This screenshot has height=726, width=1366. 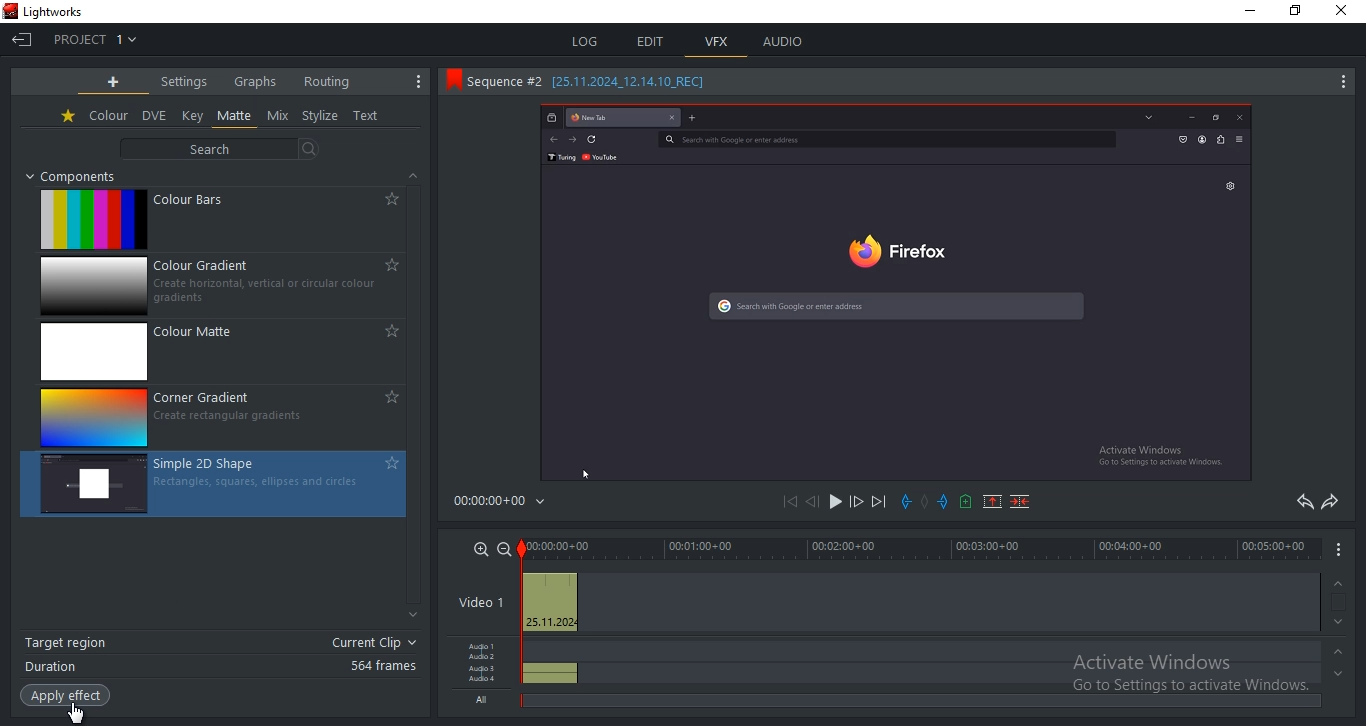 I want to click on components, so click(x=79, y=176).